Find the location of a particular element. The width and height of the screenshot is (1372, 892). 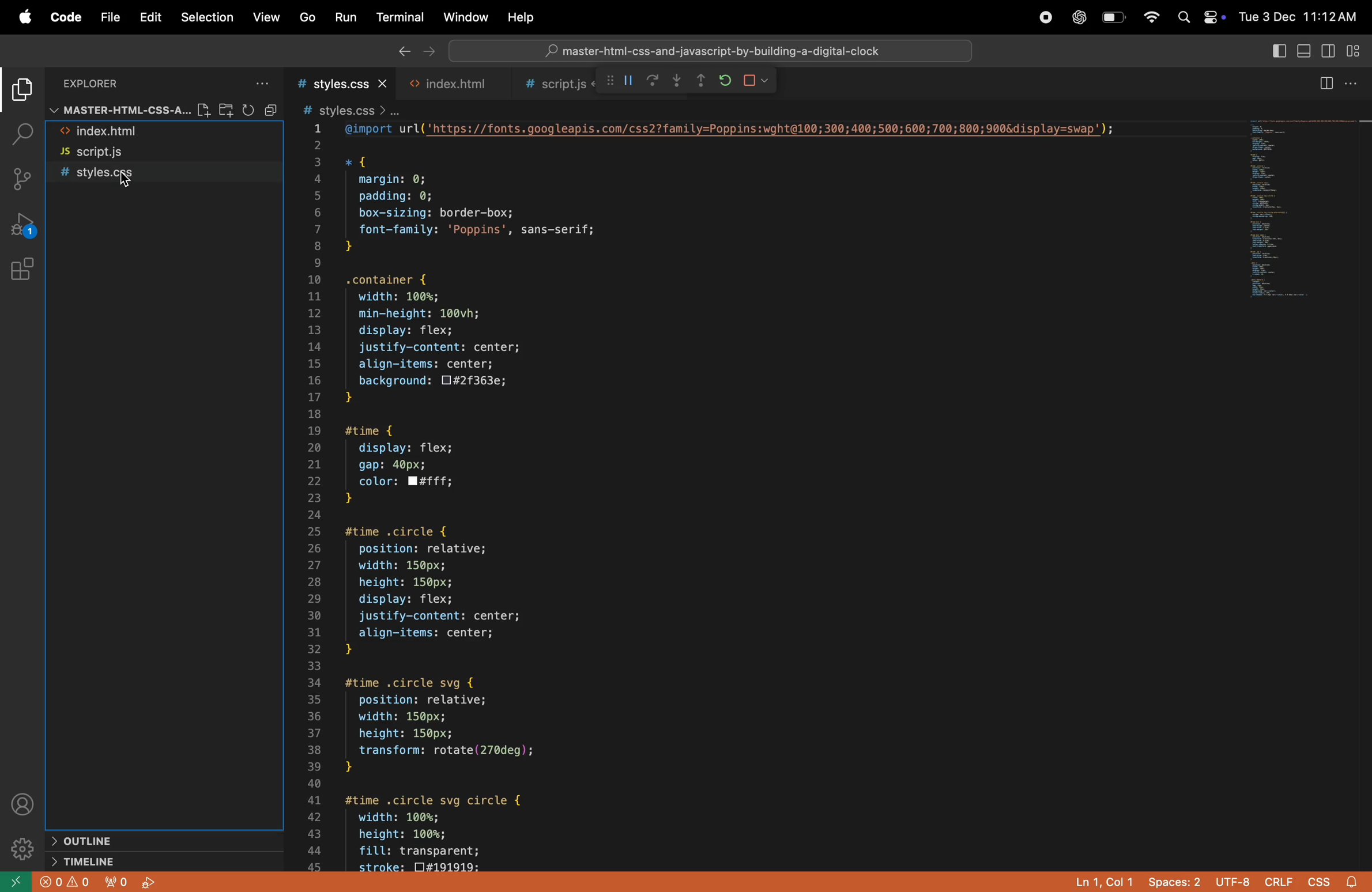

step out is located at coordinates (701, 84).